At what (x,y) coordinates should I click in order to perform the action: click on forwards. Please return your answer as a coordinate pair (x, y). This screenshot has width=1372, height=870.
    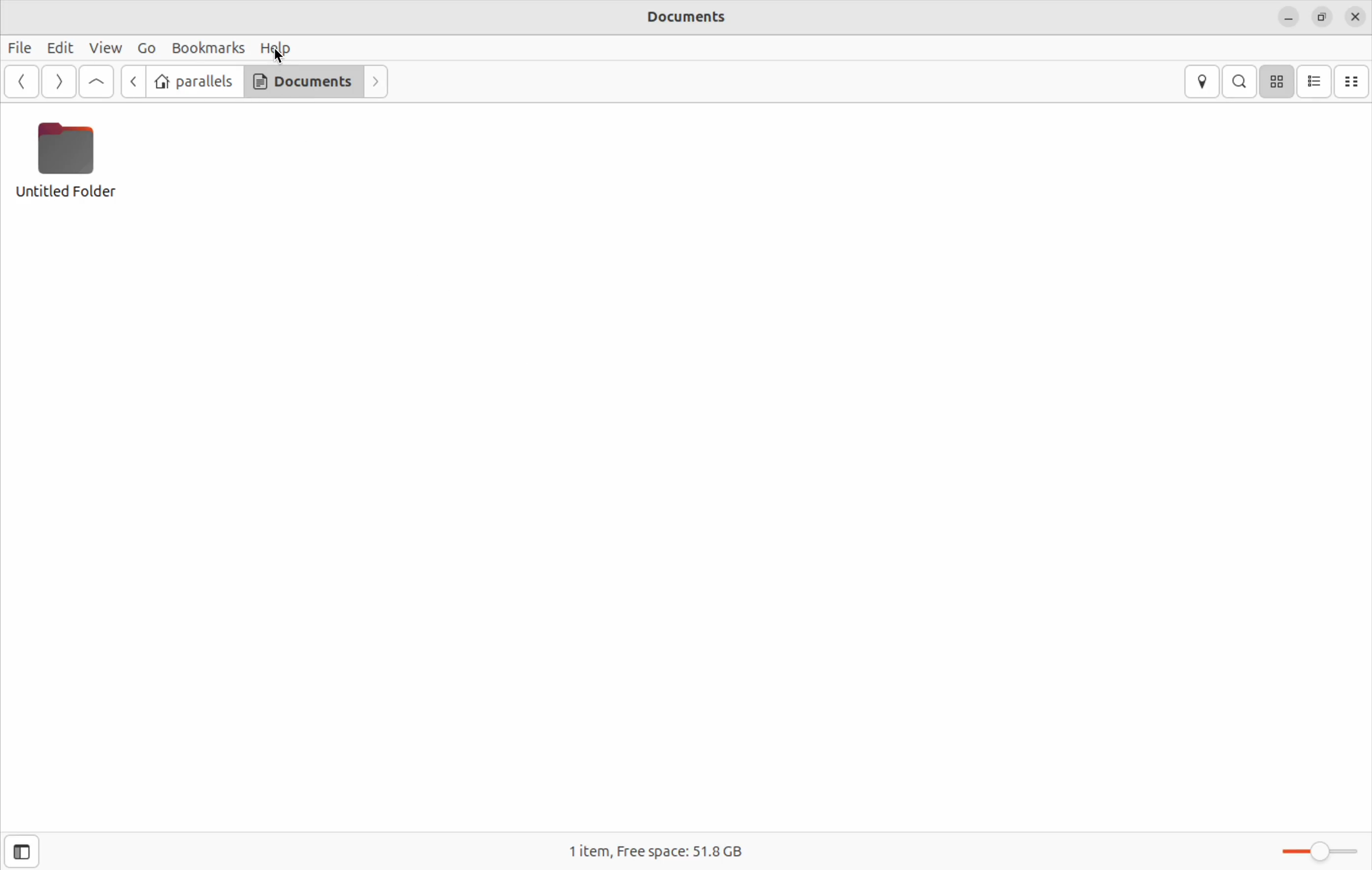
    Looking at the image, I should click on (374, 81).